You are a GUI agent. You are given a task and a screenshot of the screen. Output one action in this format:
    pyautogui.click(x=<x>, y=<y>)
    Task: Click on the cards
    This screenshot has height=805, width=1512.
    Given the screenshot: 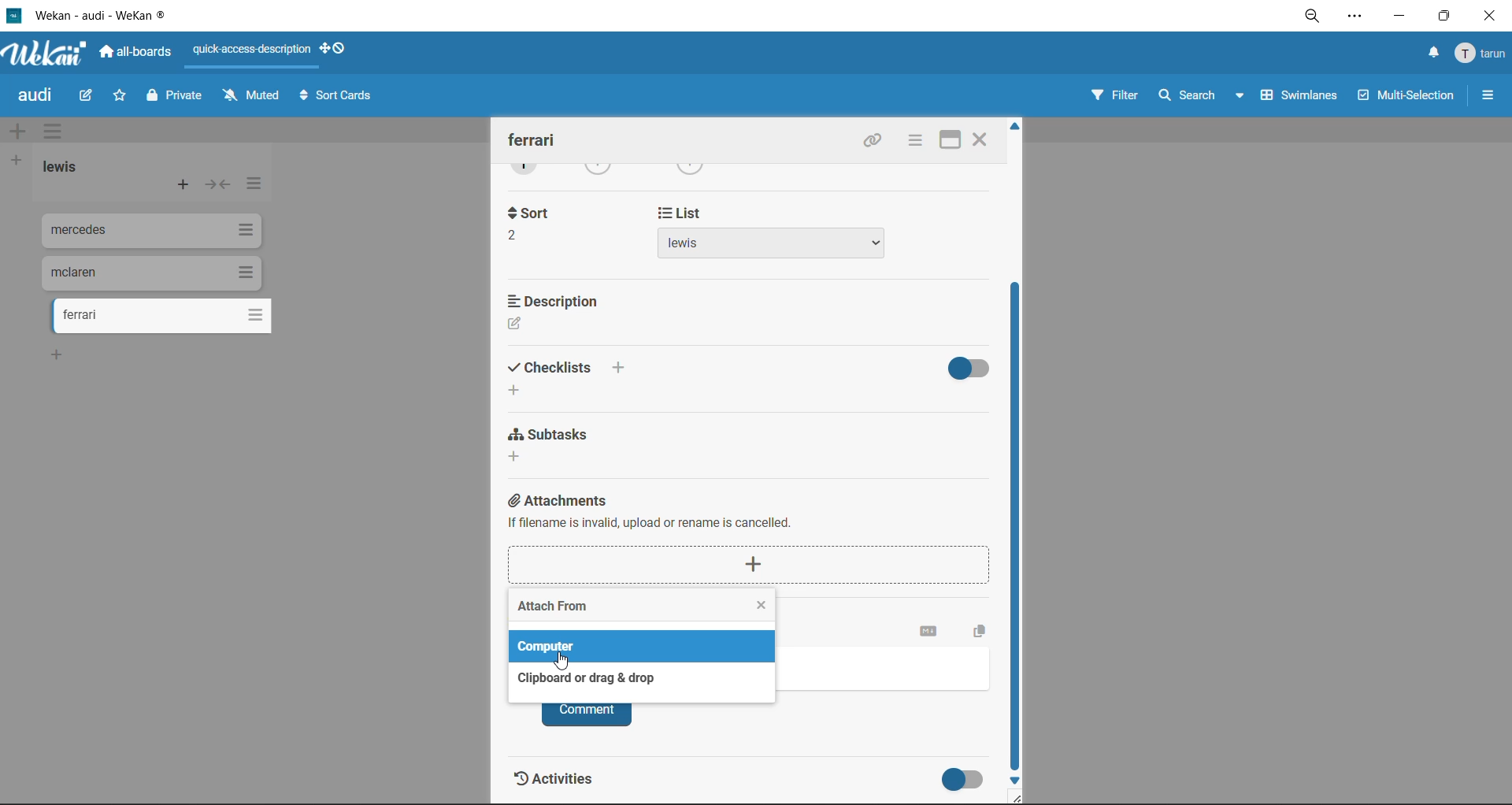 What is the action you would take?
    pyautogui.click(x=169, y=317)
    